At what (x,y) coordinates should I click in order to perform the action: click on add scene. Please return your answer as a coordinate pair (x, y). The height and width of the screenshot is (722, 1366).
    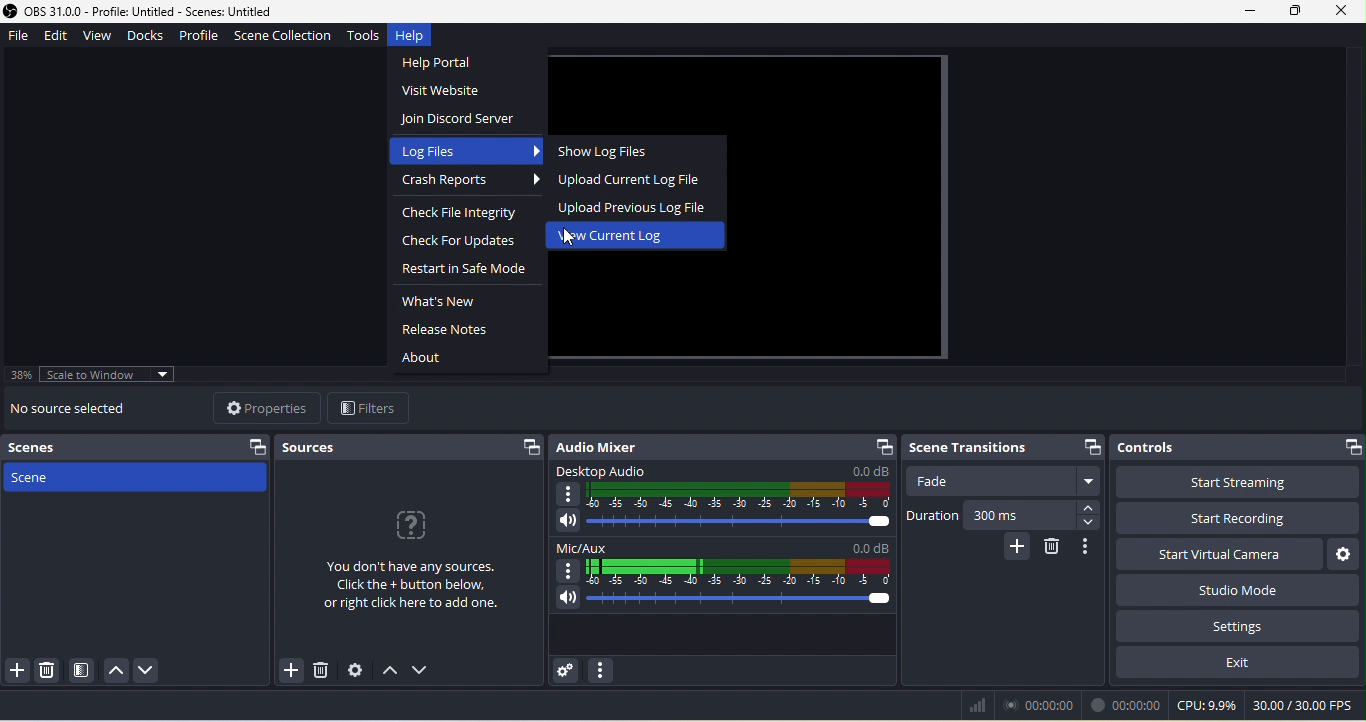
    Looking at the image, I should click on (17, 673).